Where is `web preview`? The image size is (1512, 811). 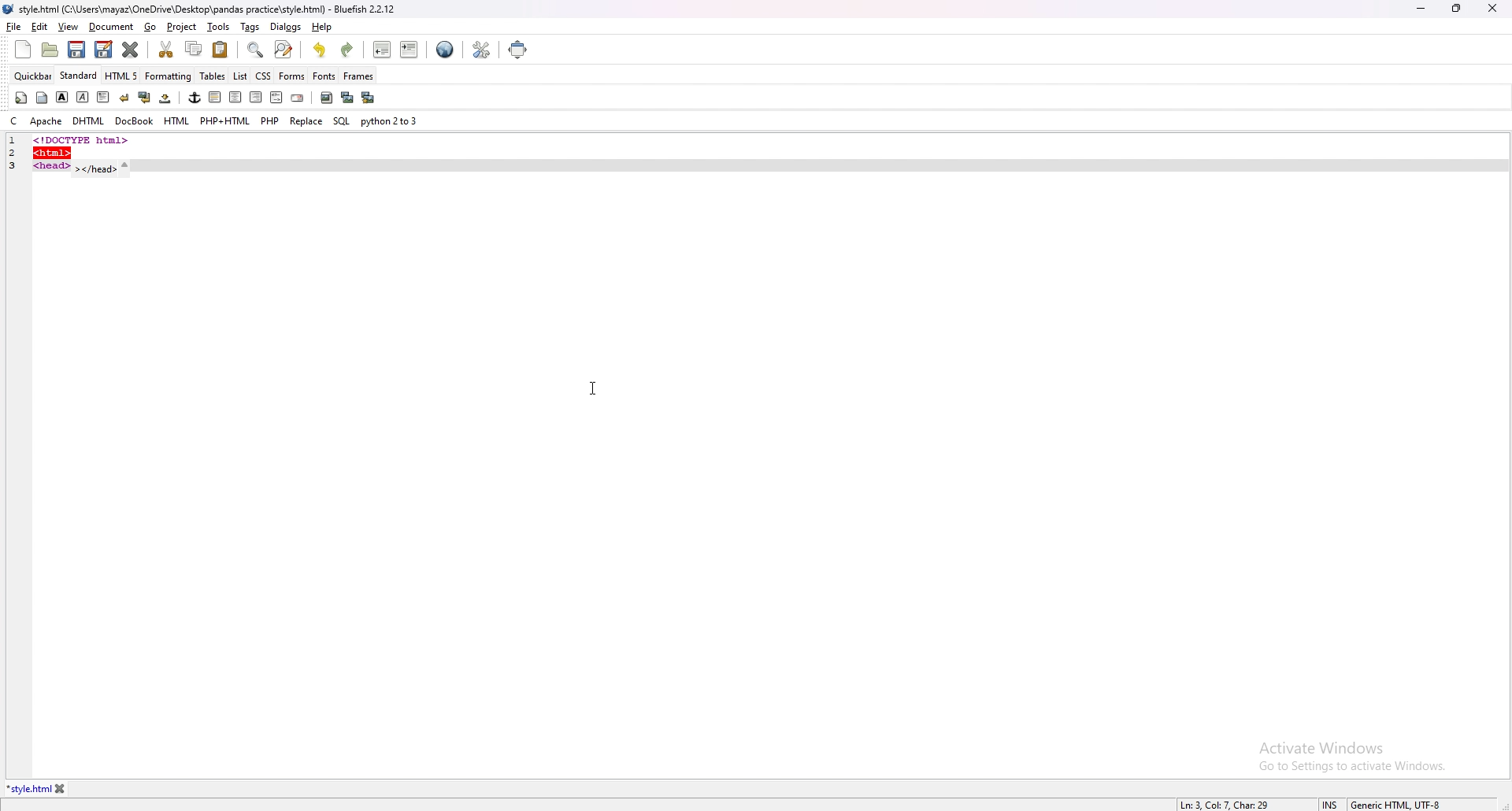 web preview is located at coordinates (445, 50).